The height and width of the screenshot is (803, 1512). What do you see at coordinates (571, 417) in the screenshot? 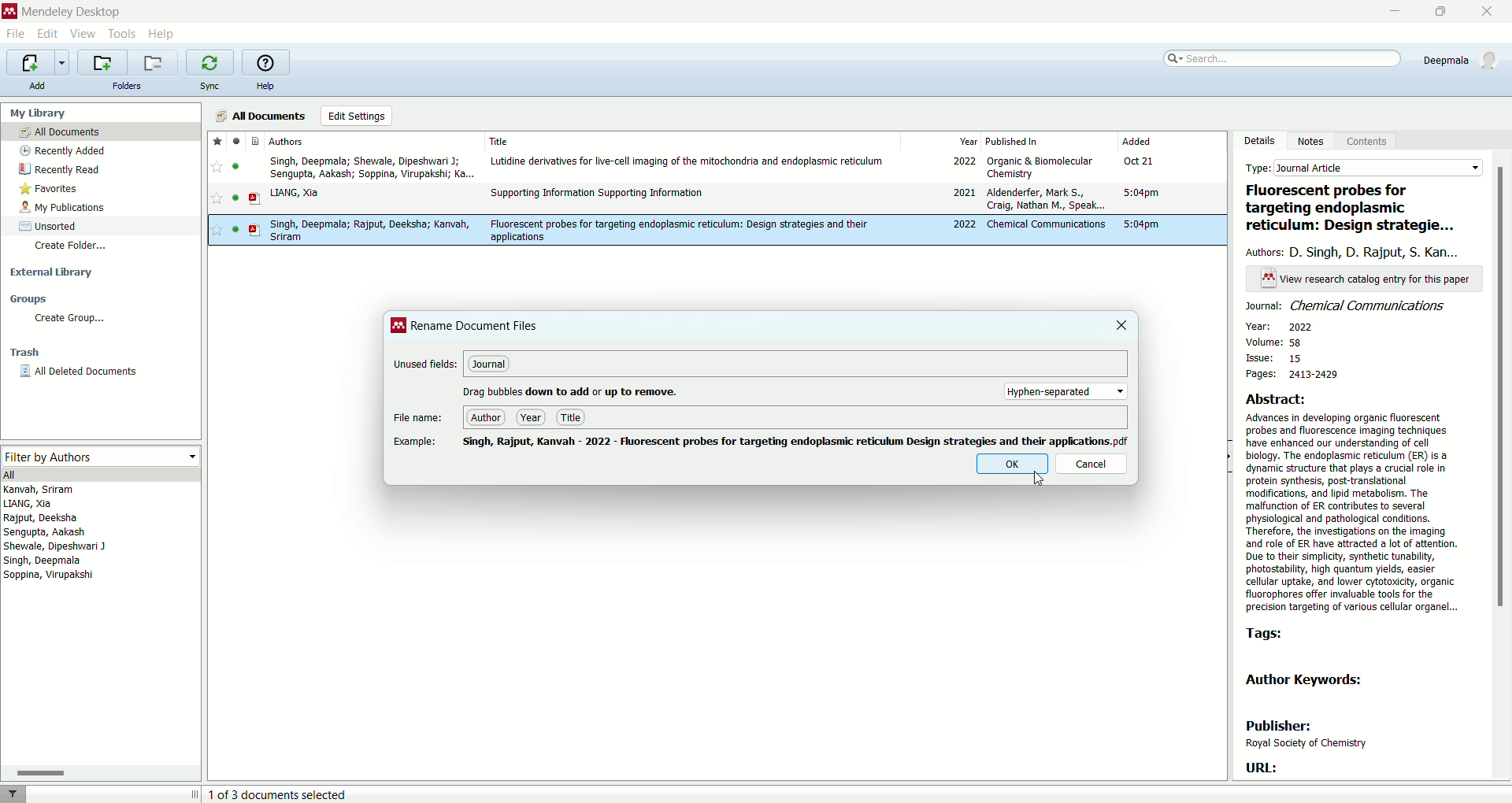
I see `title` at bounding box center [571, 417].